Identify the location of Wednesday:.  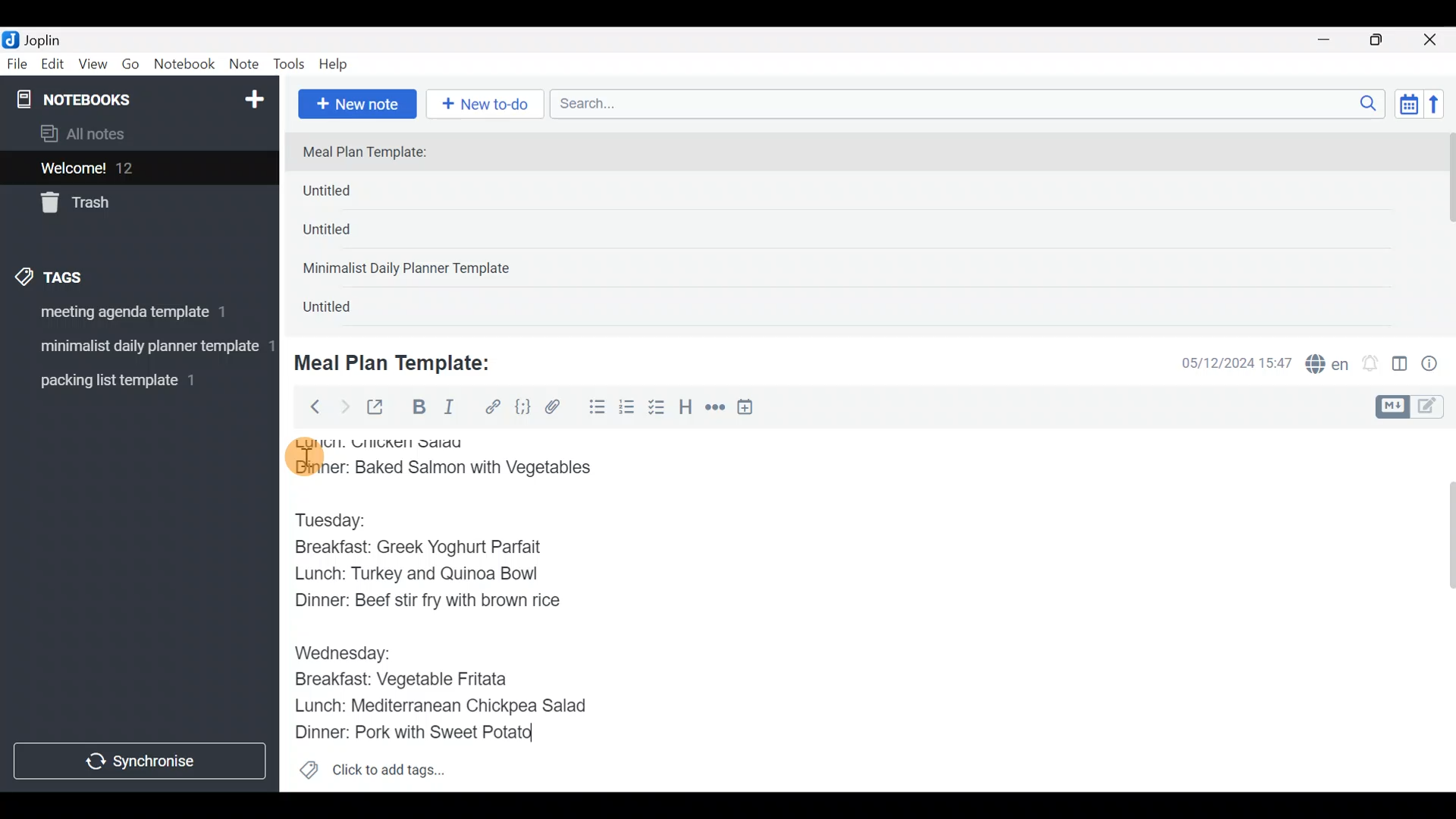
(342, 651).